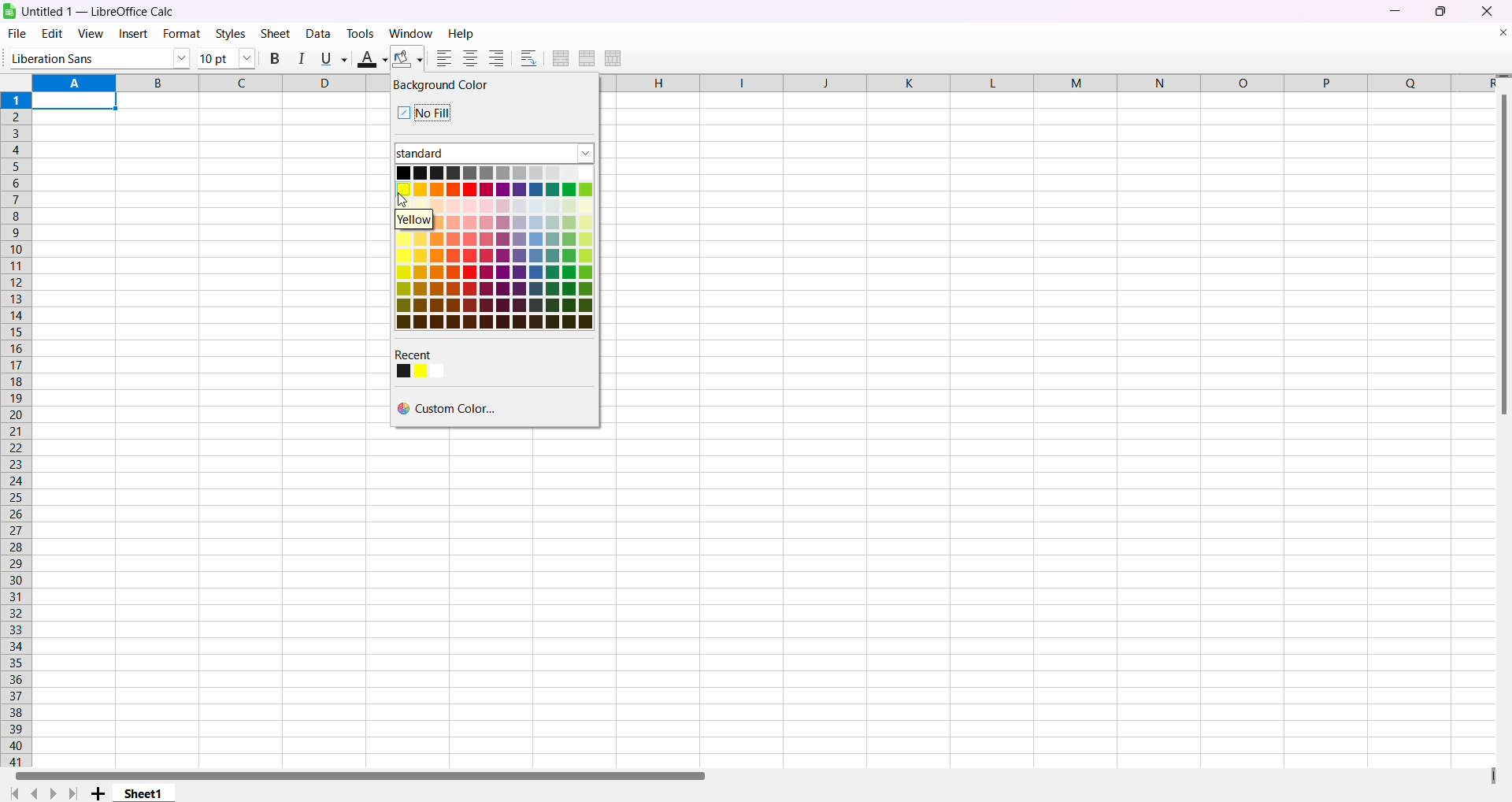  Describe the element at coordinates (80, 101) in the screenshot. I see `selected cell` at that location.